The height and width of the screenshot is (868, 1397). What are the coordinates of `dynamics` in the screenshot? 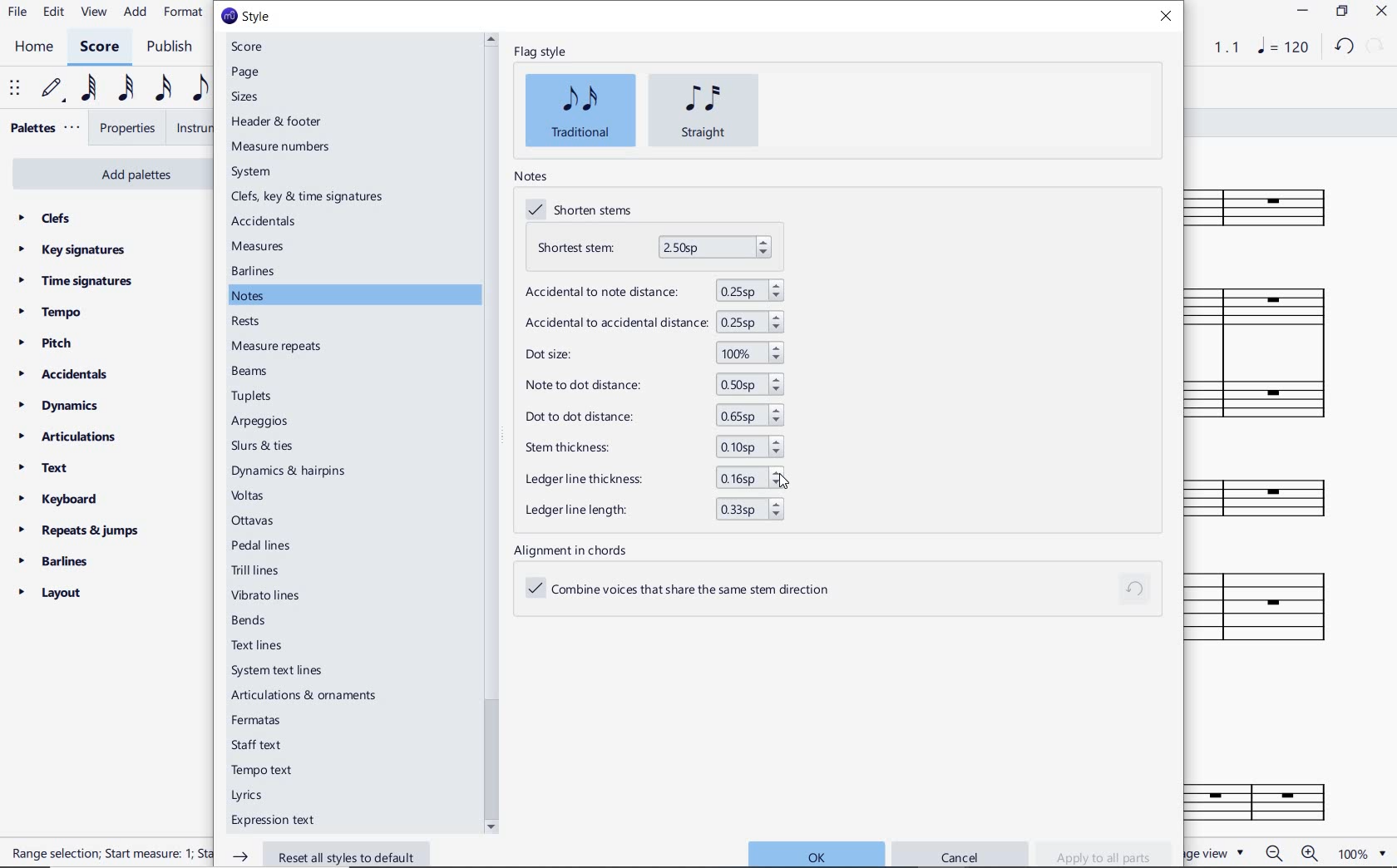 It's located at (61, 405).